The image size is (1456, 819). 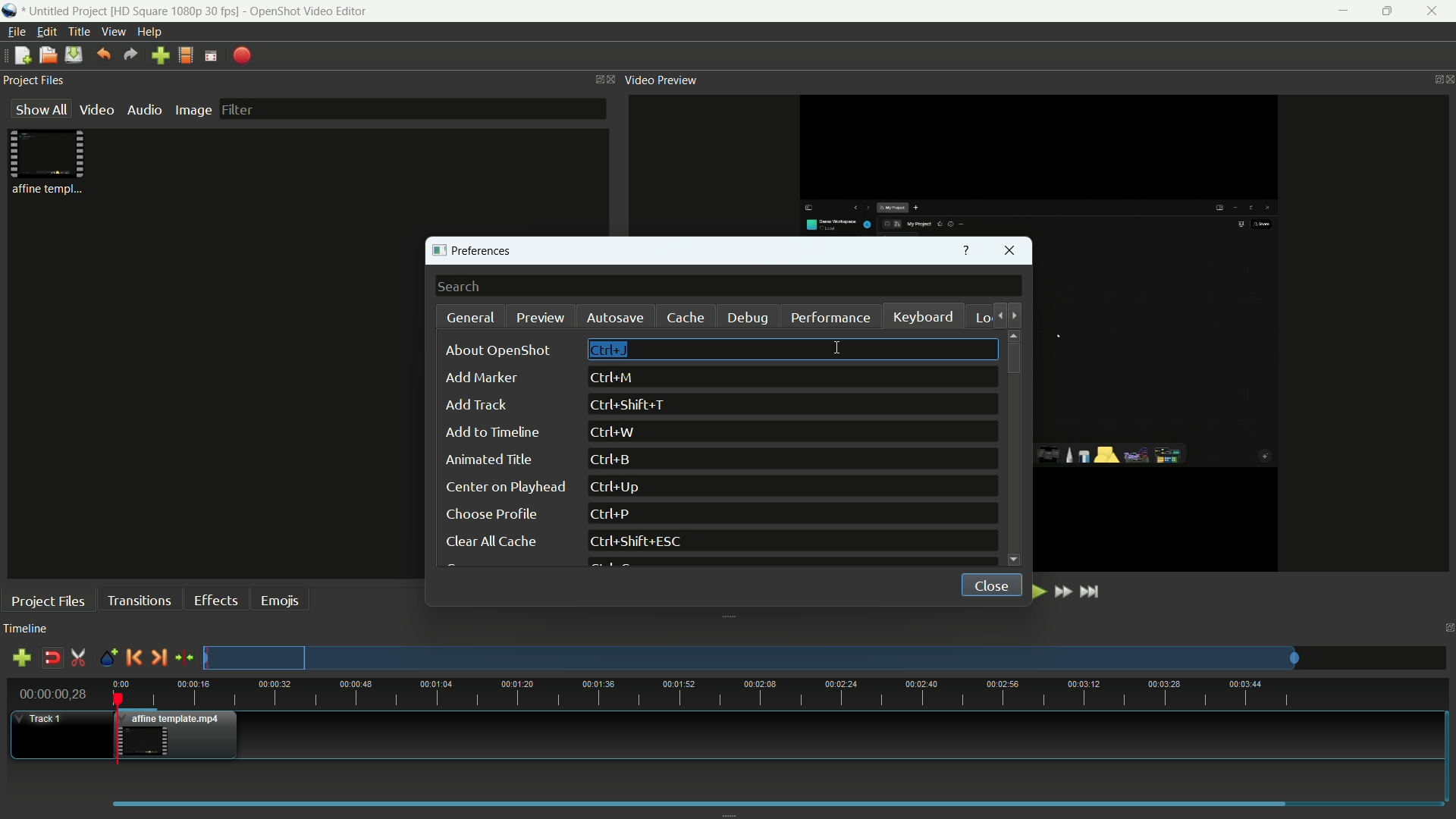 I want to click on close, so click(x=987, y=583).